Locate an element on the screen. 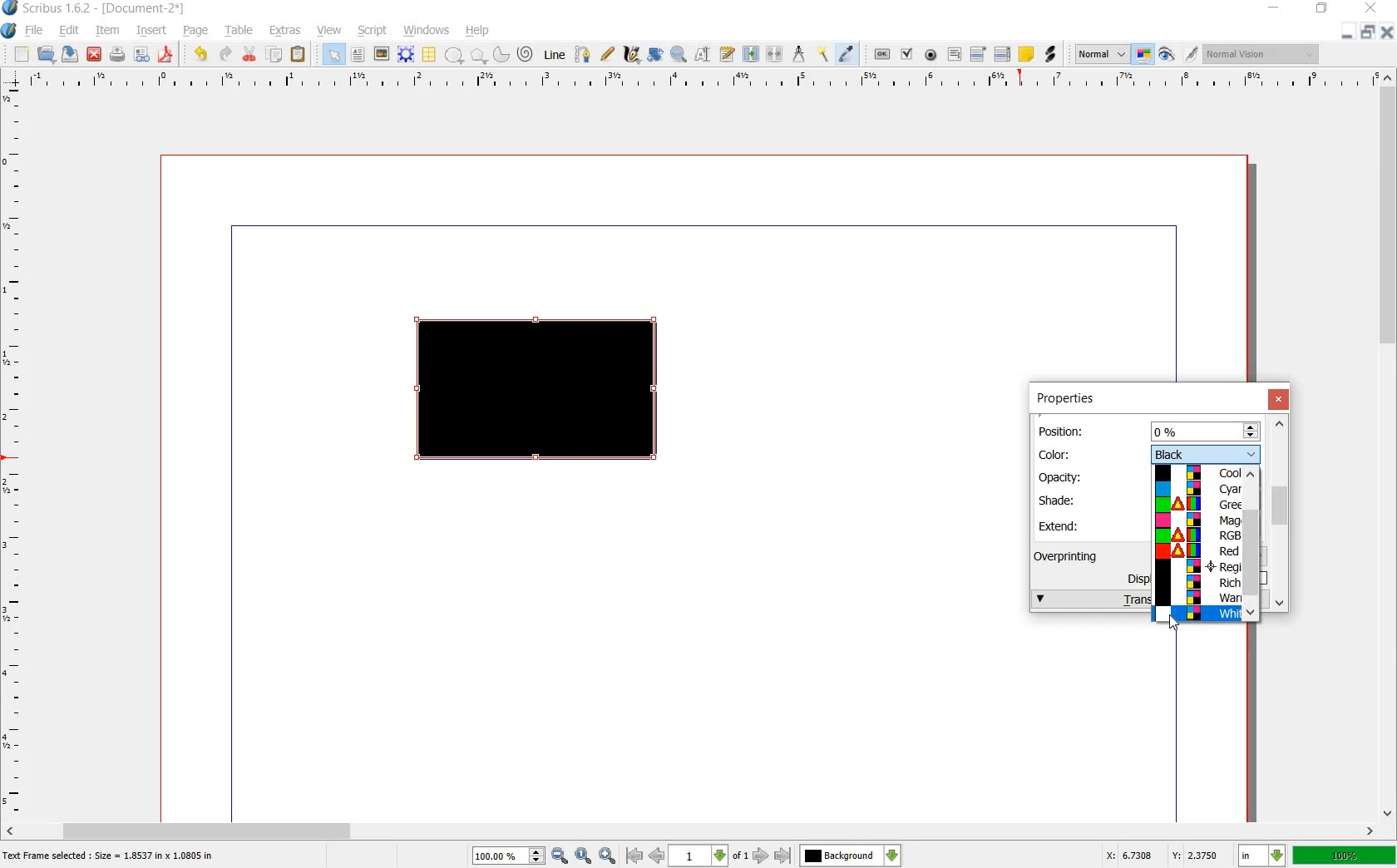 This screenshot has width=1397, height=868. scroll bar is located at coordinates (692, 830).